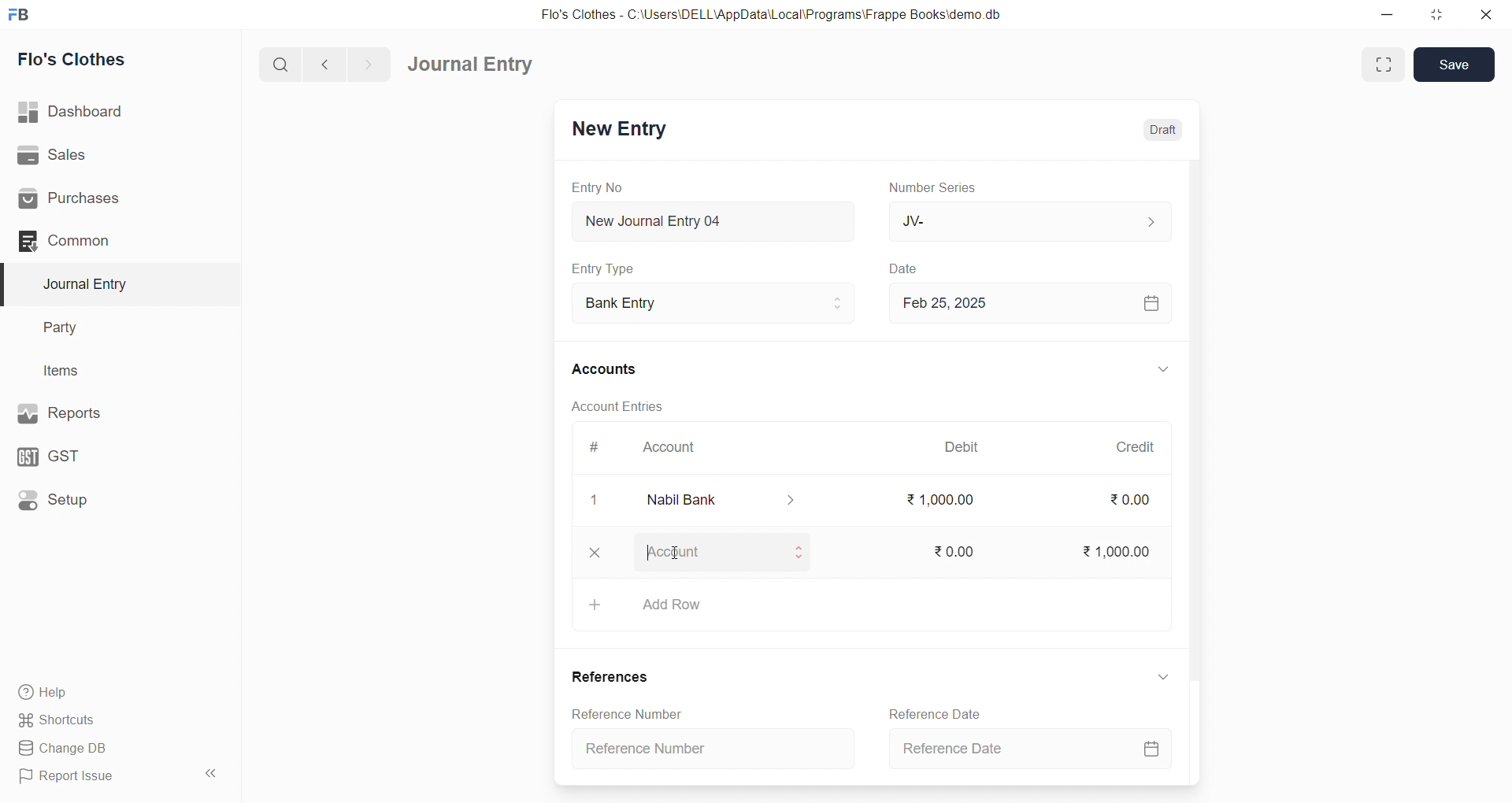  I want to click on Credit, so click(1135, 447).